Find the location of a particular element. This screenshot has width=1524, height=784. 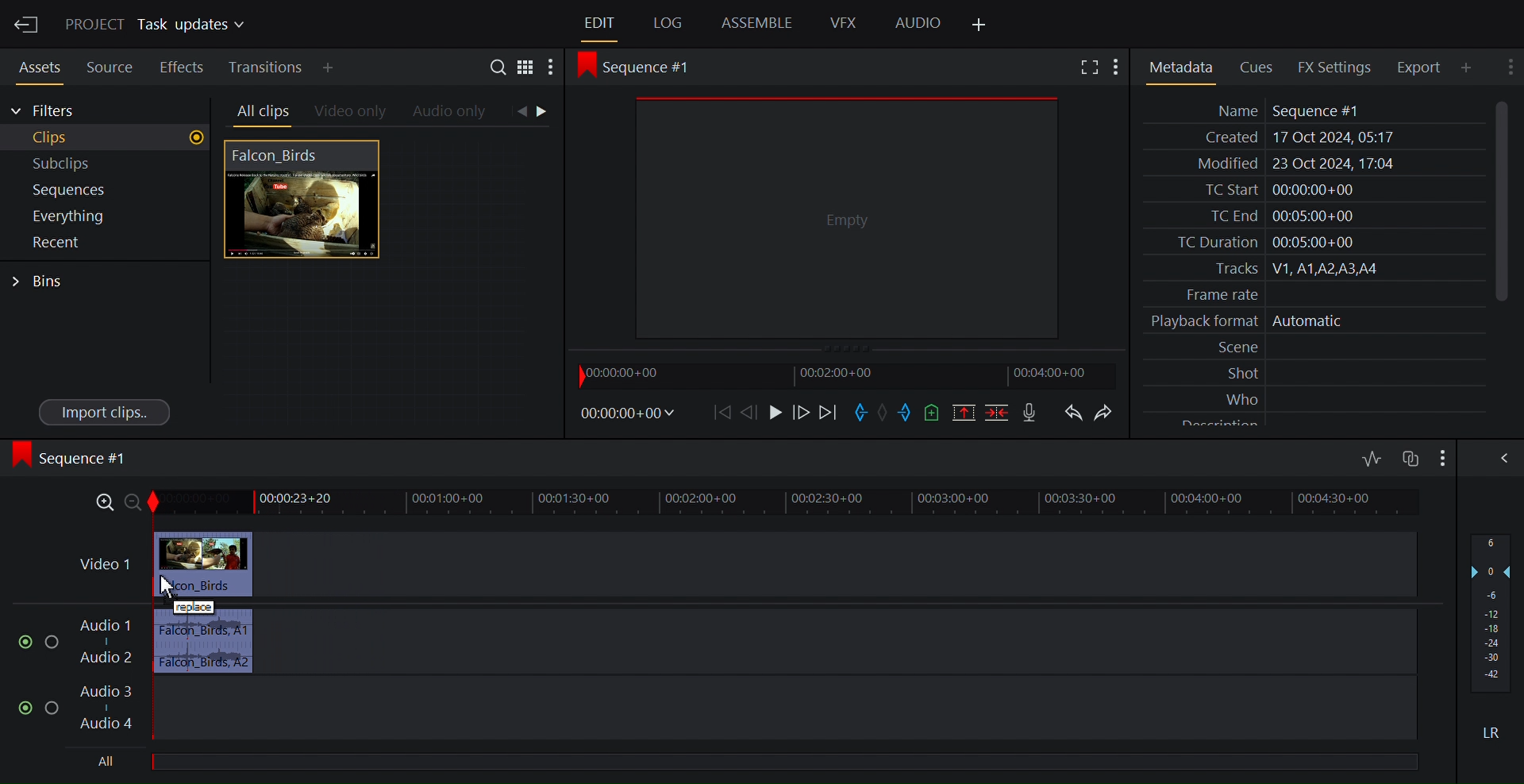

Assemble is located at coordinates (758, 22).